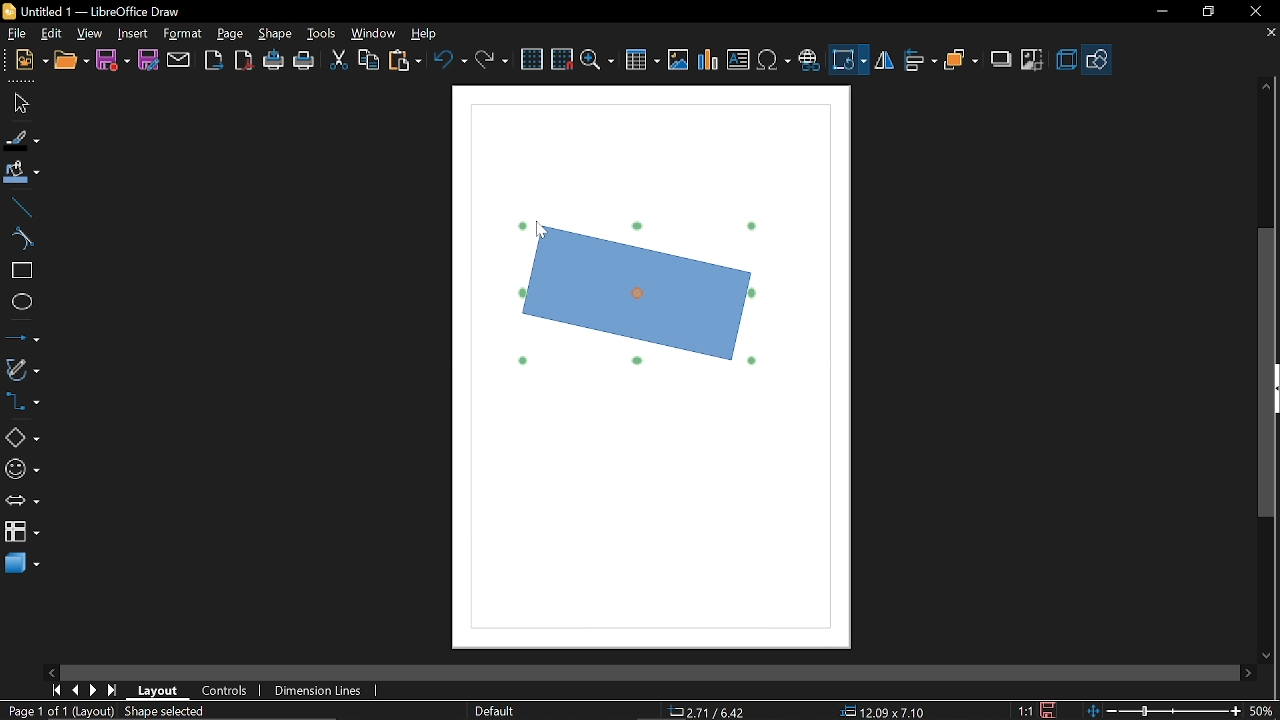  What do you see at coordinates (145, 711) in the screenshot?
I see `(Layout) Shape selected` at bounding box center [145, 711].